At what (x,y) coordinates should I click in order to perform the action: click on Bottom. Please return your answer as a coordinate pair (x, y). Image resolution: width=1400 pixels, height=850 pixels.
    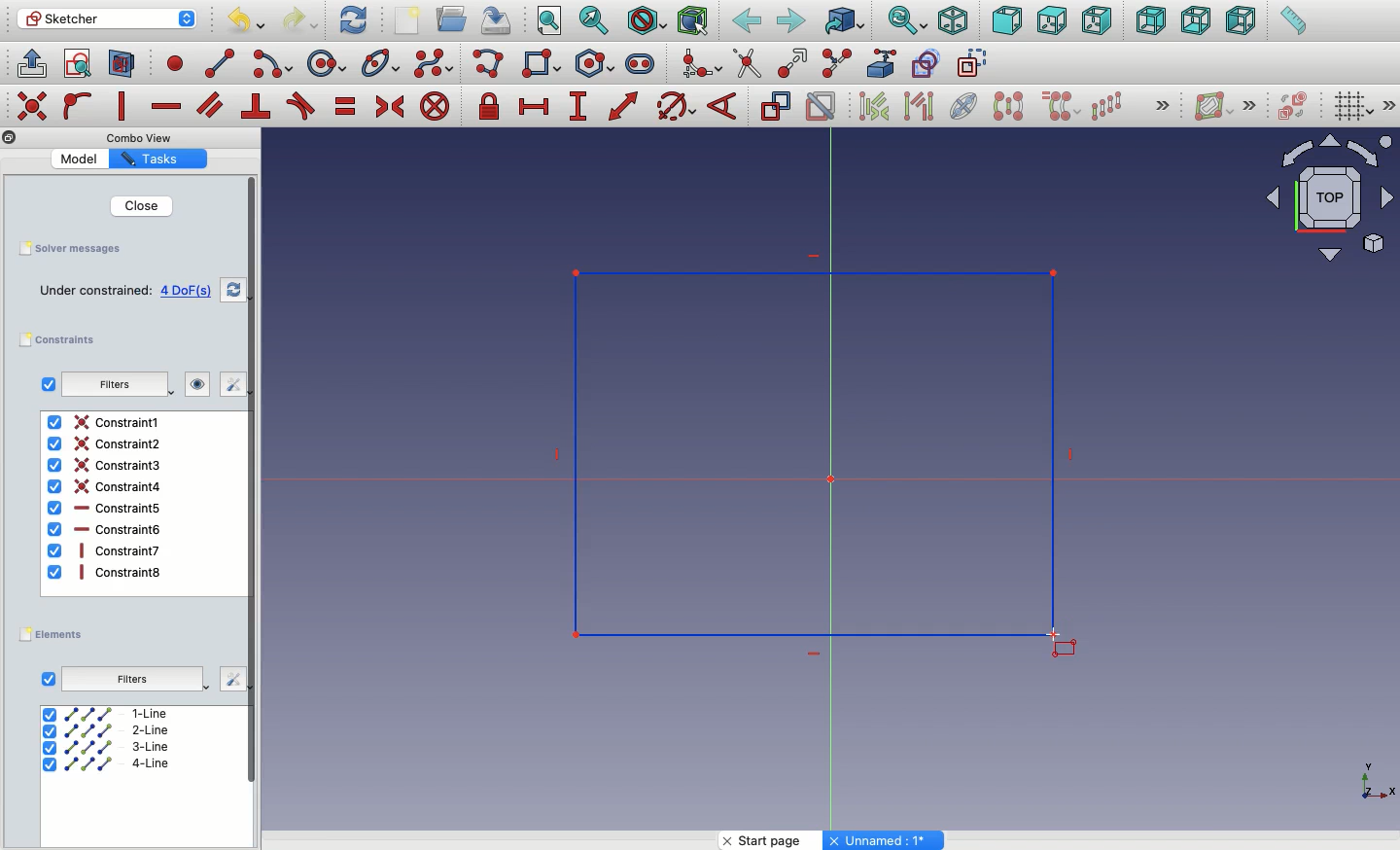
    Looking at the image, I should click on (1194, 22).